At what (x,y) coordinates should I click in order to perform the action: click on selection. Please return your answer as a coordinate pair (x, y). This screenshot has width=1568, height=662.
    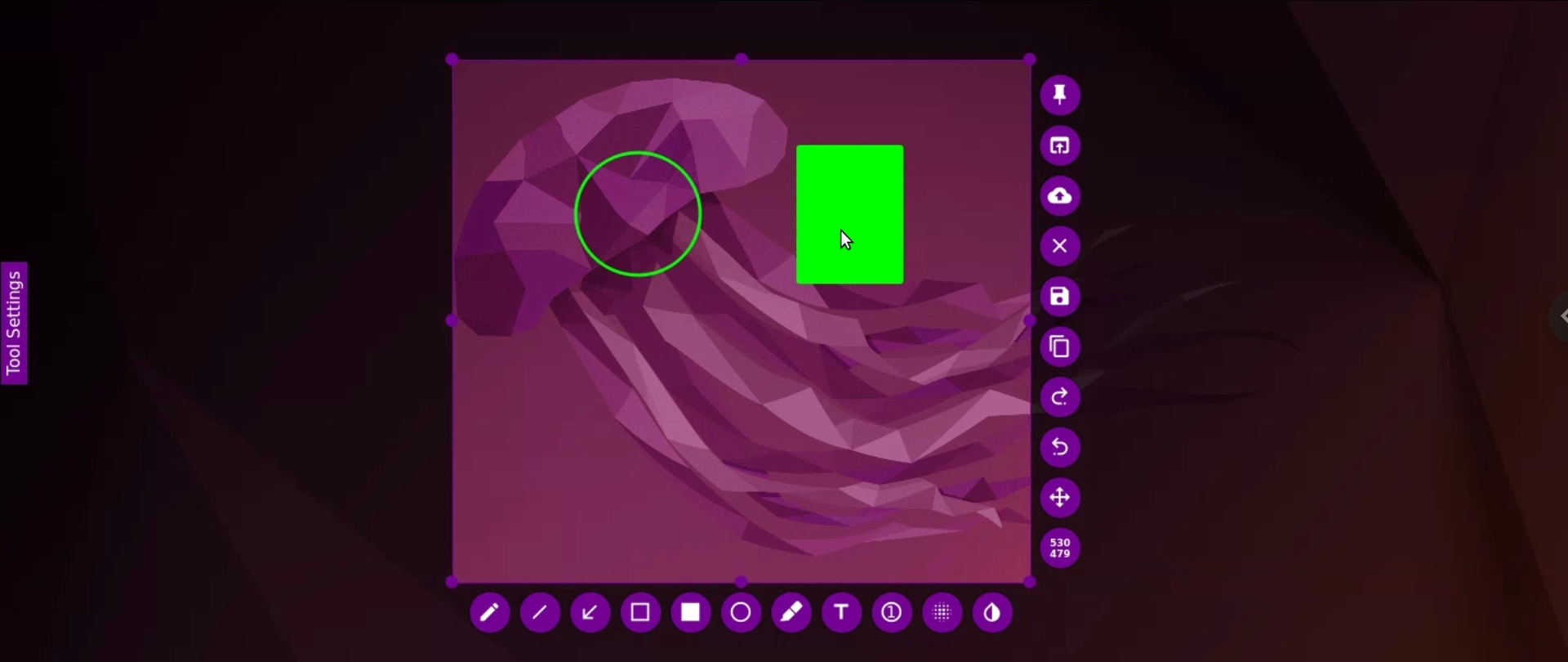
    Looking at the image, I should click on (642, 611).